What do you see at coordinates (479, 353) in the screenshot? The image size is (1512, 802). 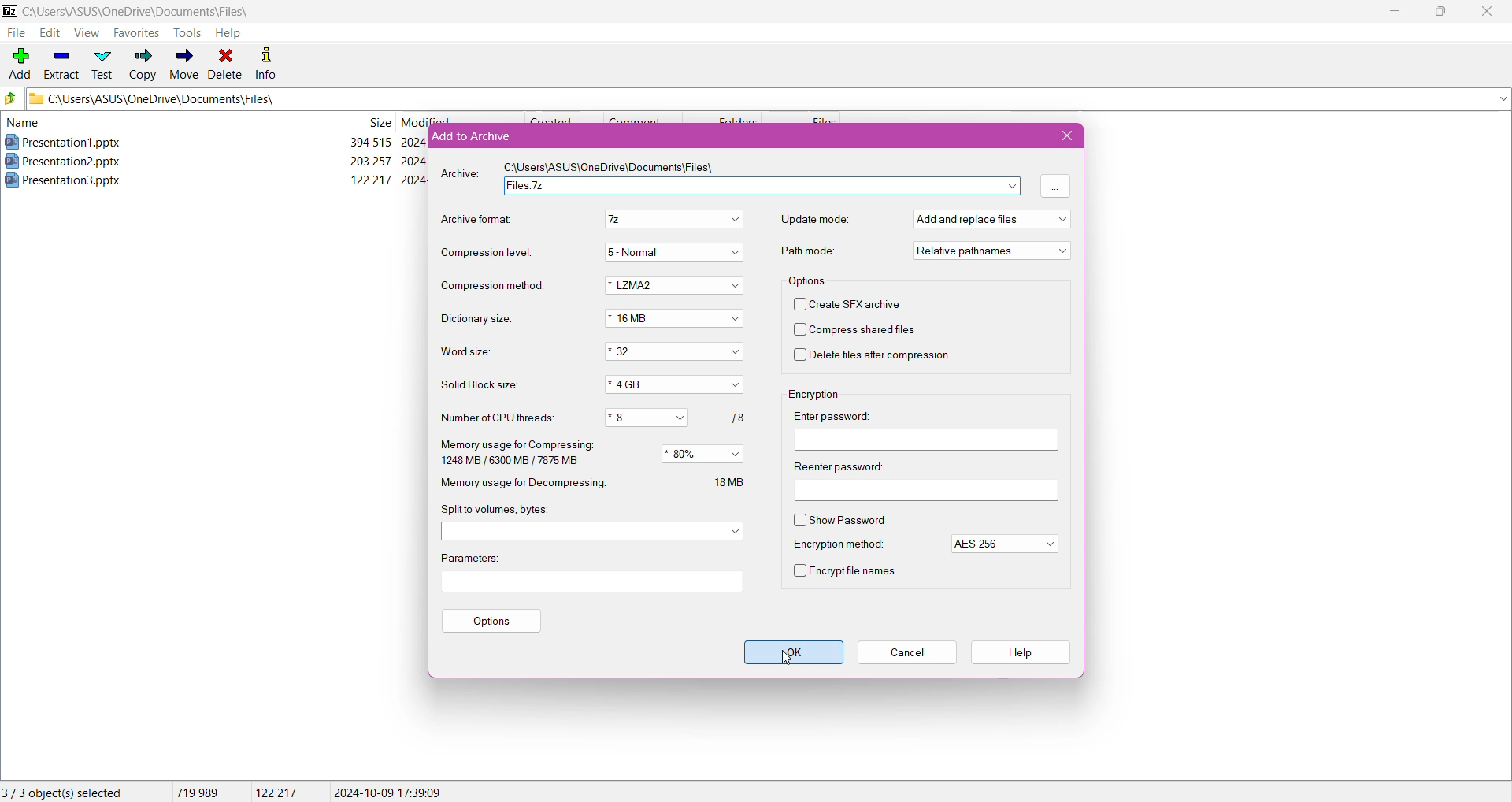 I see `Word size` at bounding box center [479, 353].